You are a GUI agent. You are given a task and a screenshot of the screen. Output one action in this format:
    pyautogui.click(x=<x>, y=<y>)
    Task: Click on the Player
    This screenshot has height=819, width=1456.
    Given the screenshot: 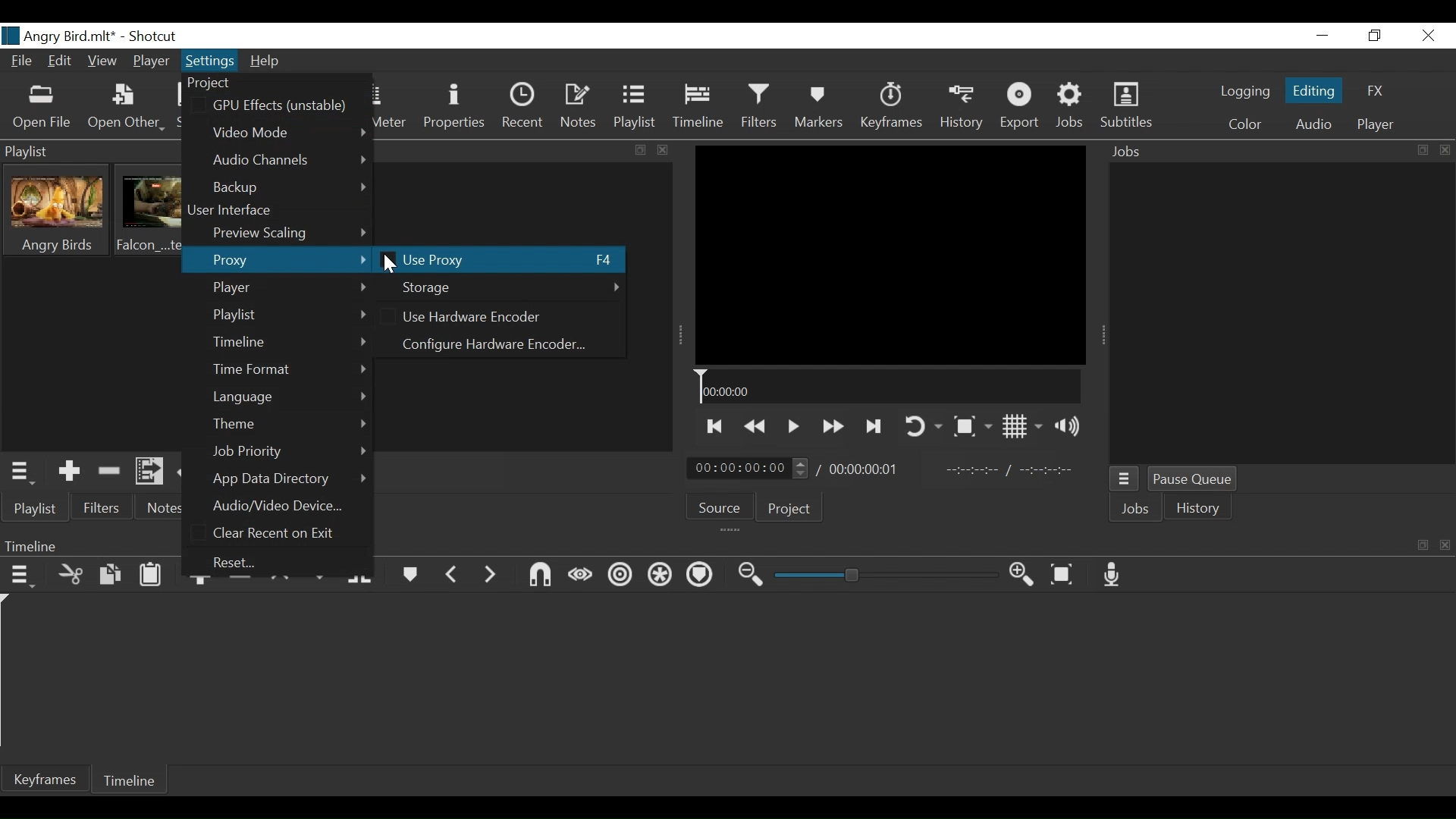 What is the action you would take?
    pyautogui.click(x=290, y=288)
    